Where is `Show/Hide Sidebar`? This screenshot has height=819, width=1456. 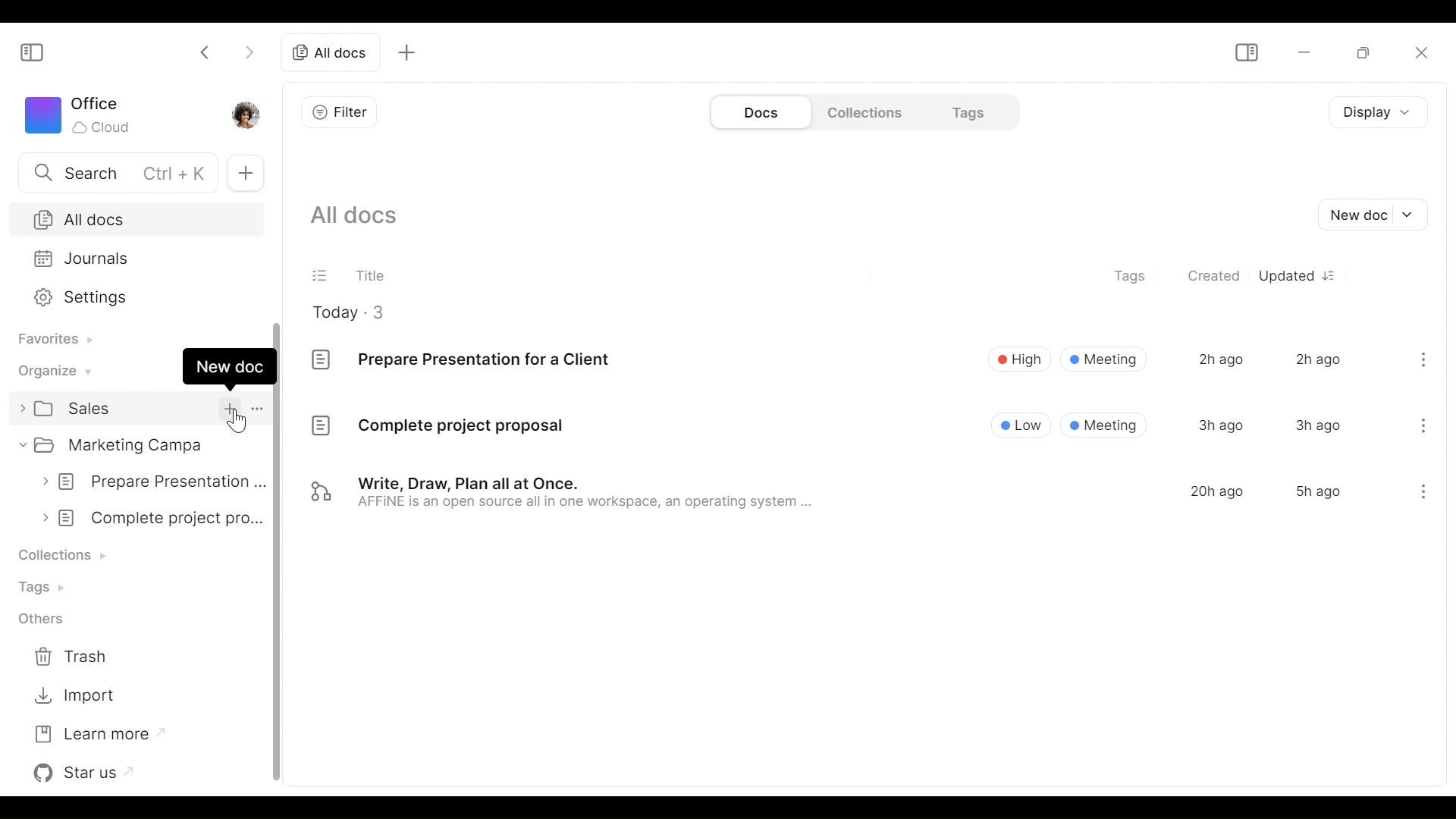
Show/Hide Sidebar is located at coordinates (33, 53).